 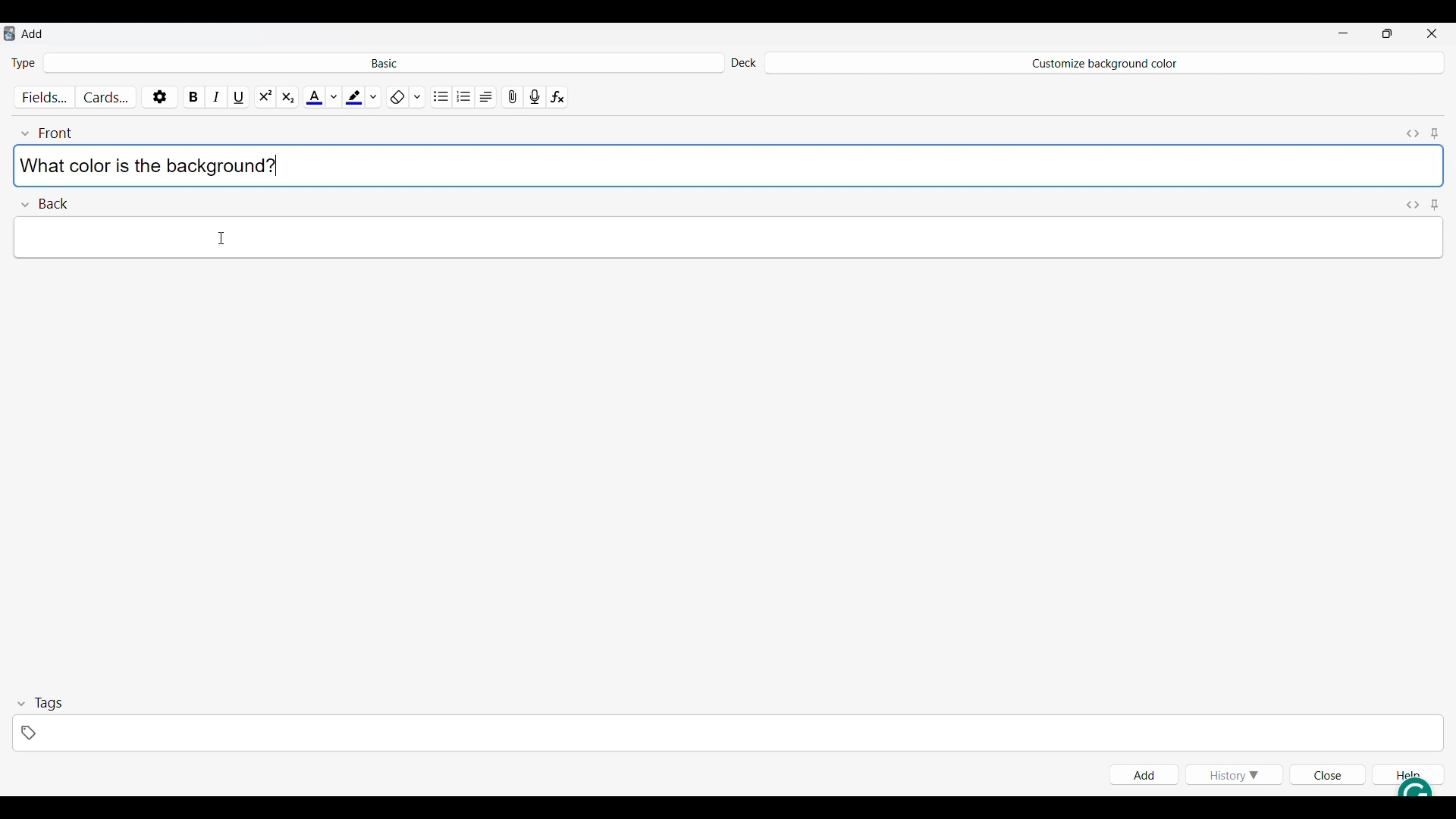 I want to click on Text color options, so click(x=333, y=95).